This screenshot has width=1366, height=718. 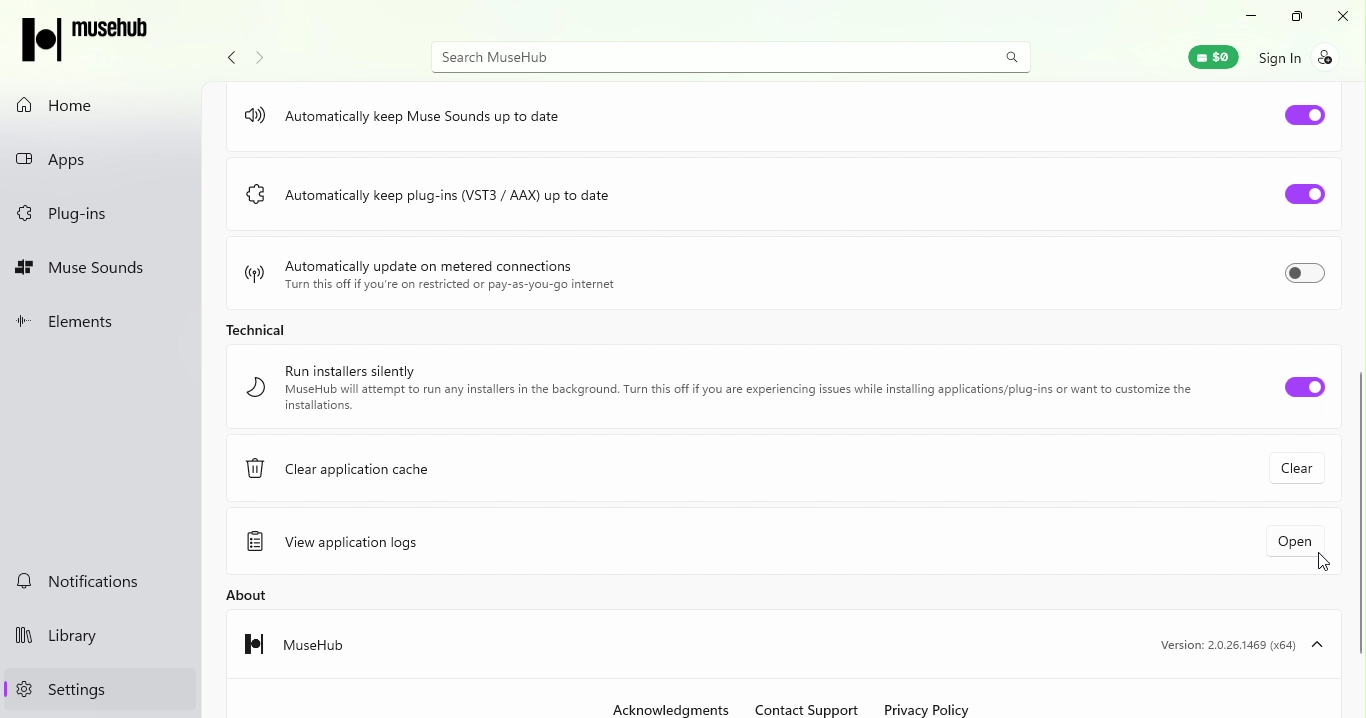 I want to click on Navigate forward, so click(x=260, y=57).